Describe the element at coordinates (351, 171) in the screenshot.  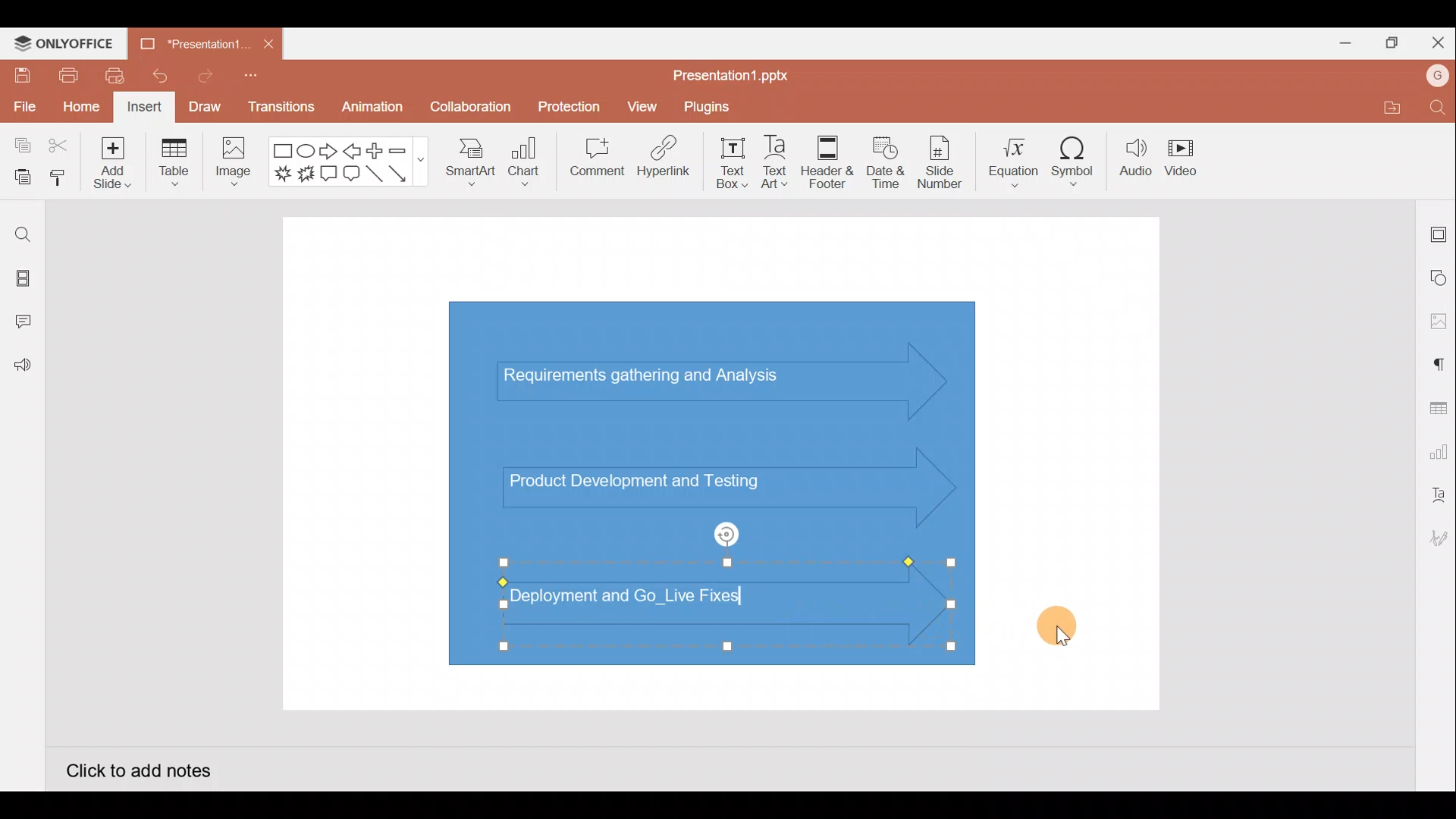
I see `Rounded Rectangular callout` at that location.